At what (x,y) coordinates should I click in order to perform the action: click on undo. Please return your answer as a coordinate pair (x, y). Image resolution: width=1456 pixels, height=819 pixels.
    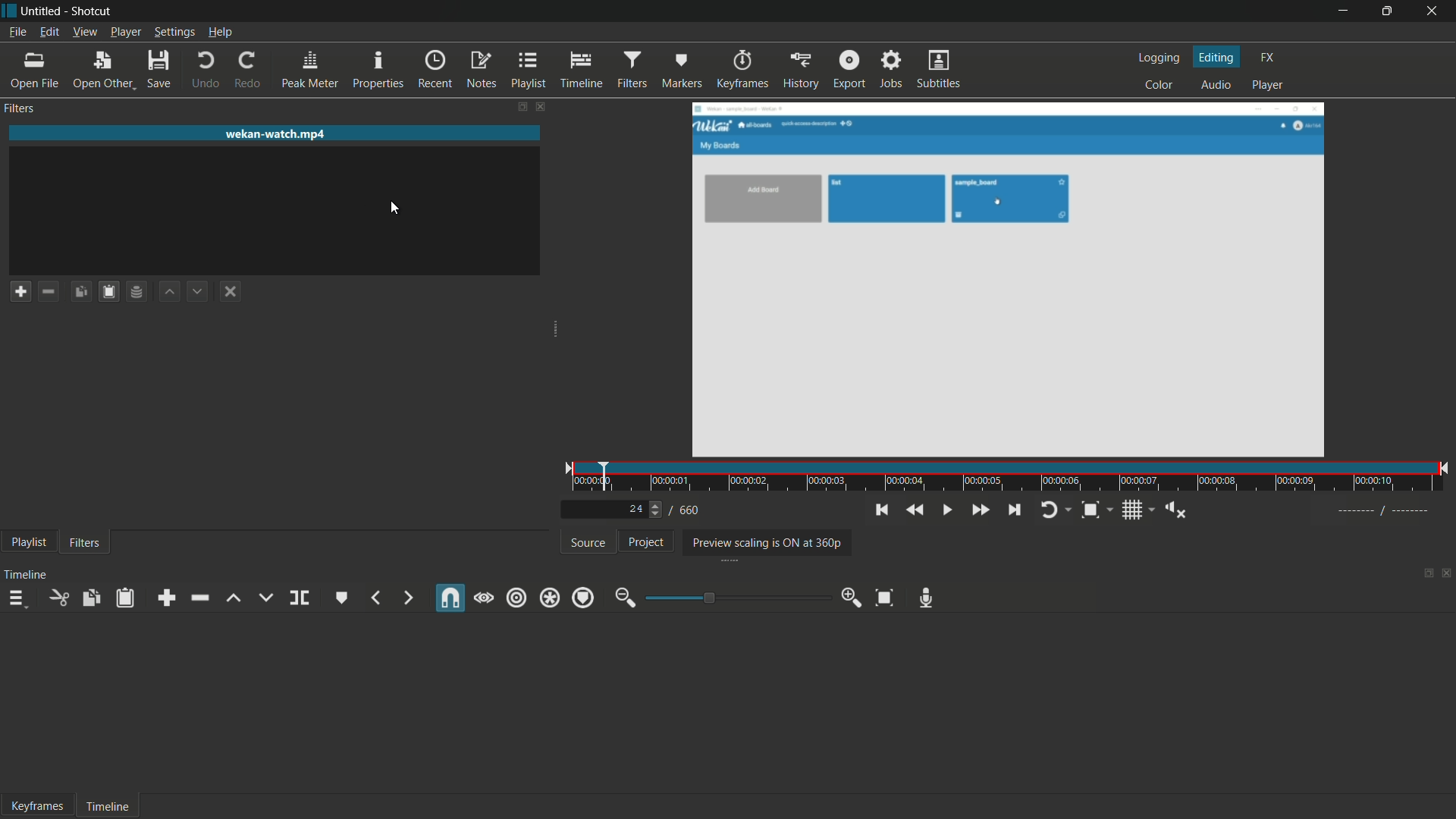
    Looking at the image, I should click on (206, 69).